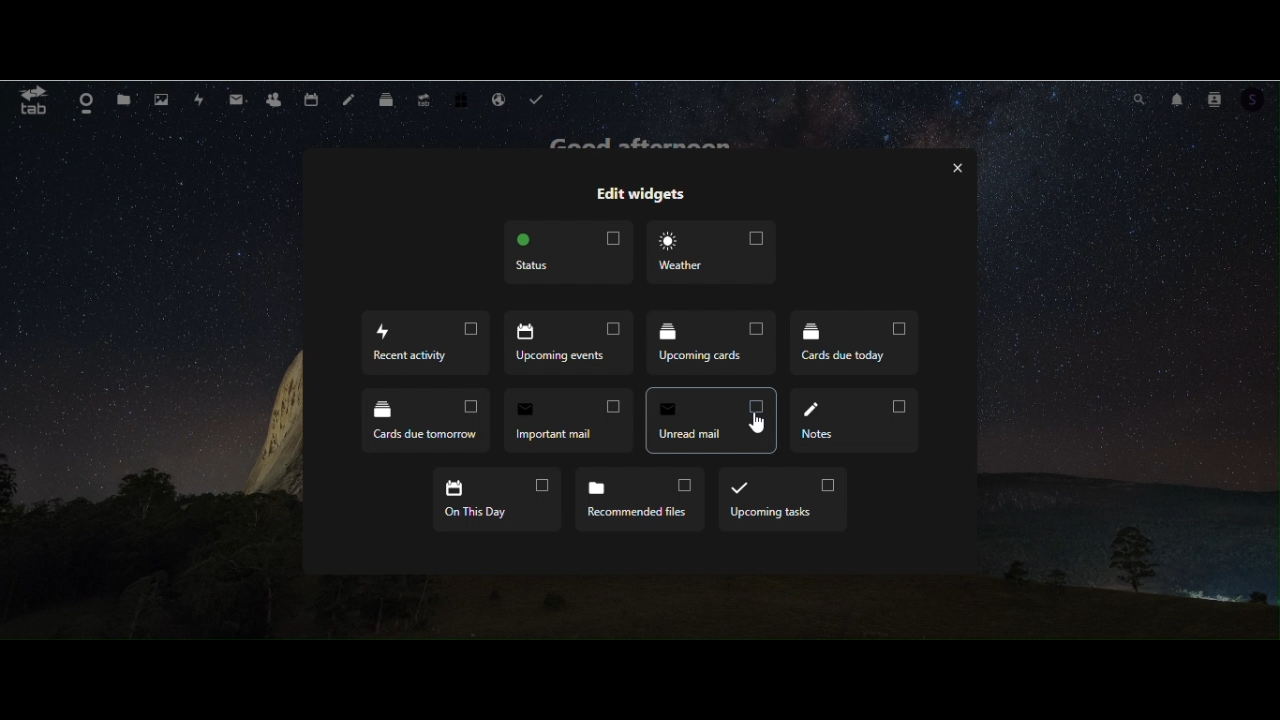  Describe the element at coordinates (761, 423) in the screenshot. I see `Cursor` at that location.